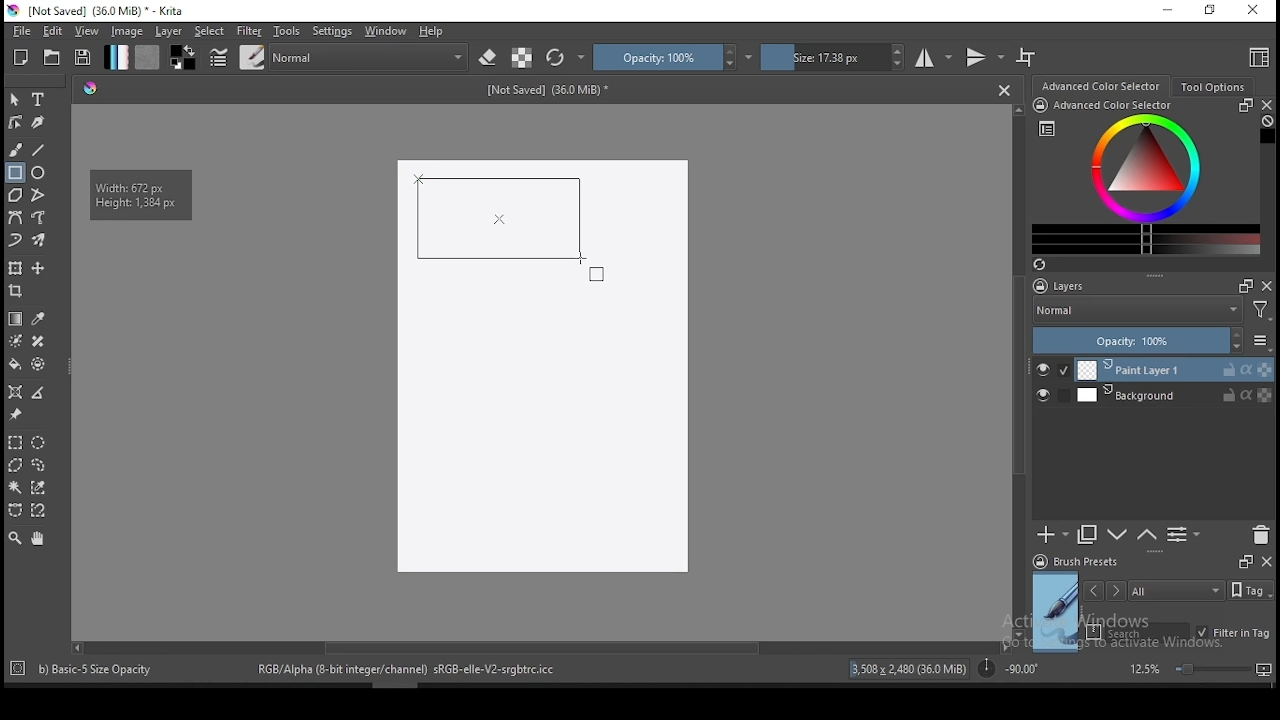  What do you see at coordinates (170, 31) in the screenshot?
I see `layer` at bounding box center [170, 31].